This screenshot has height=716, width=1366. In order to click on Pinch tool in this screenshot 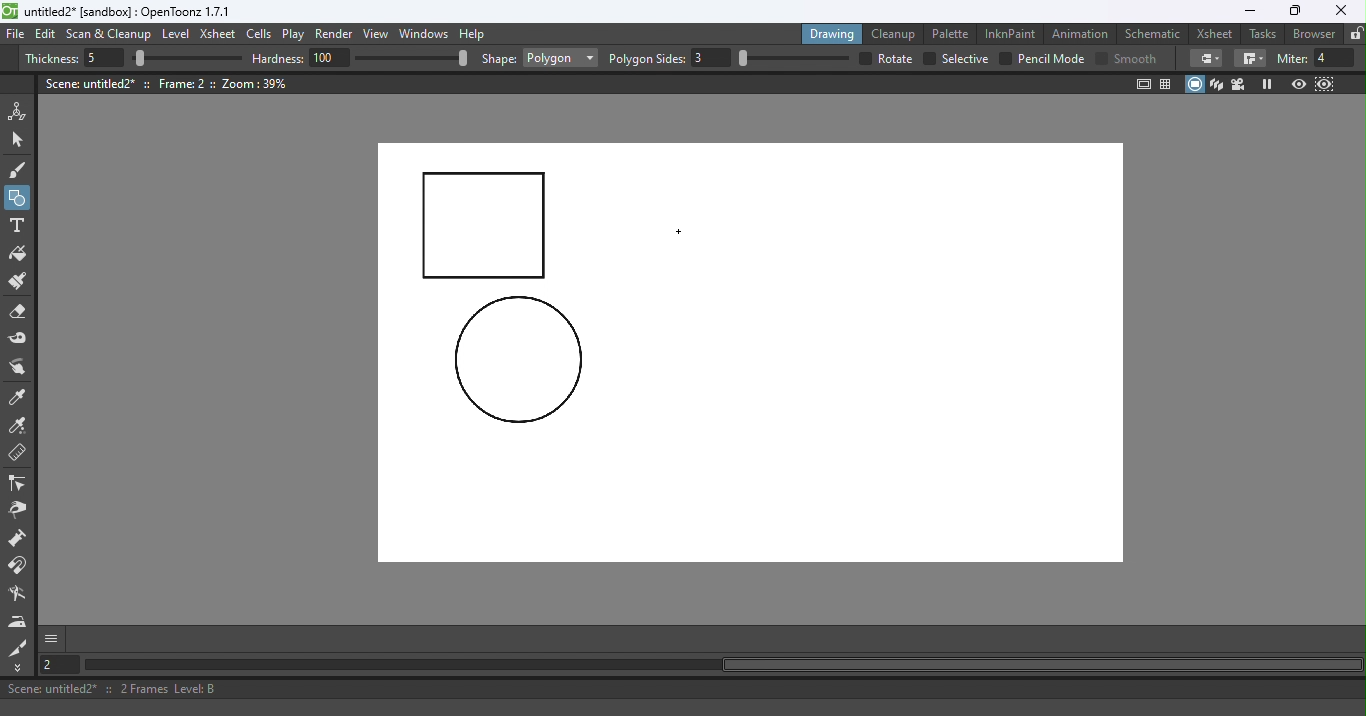, I will do `click(17, 513)`.